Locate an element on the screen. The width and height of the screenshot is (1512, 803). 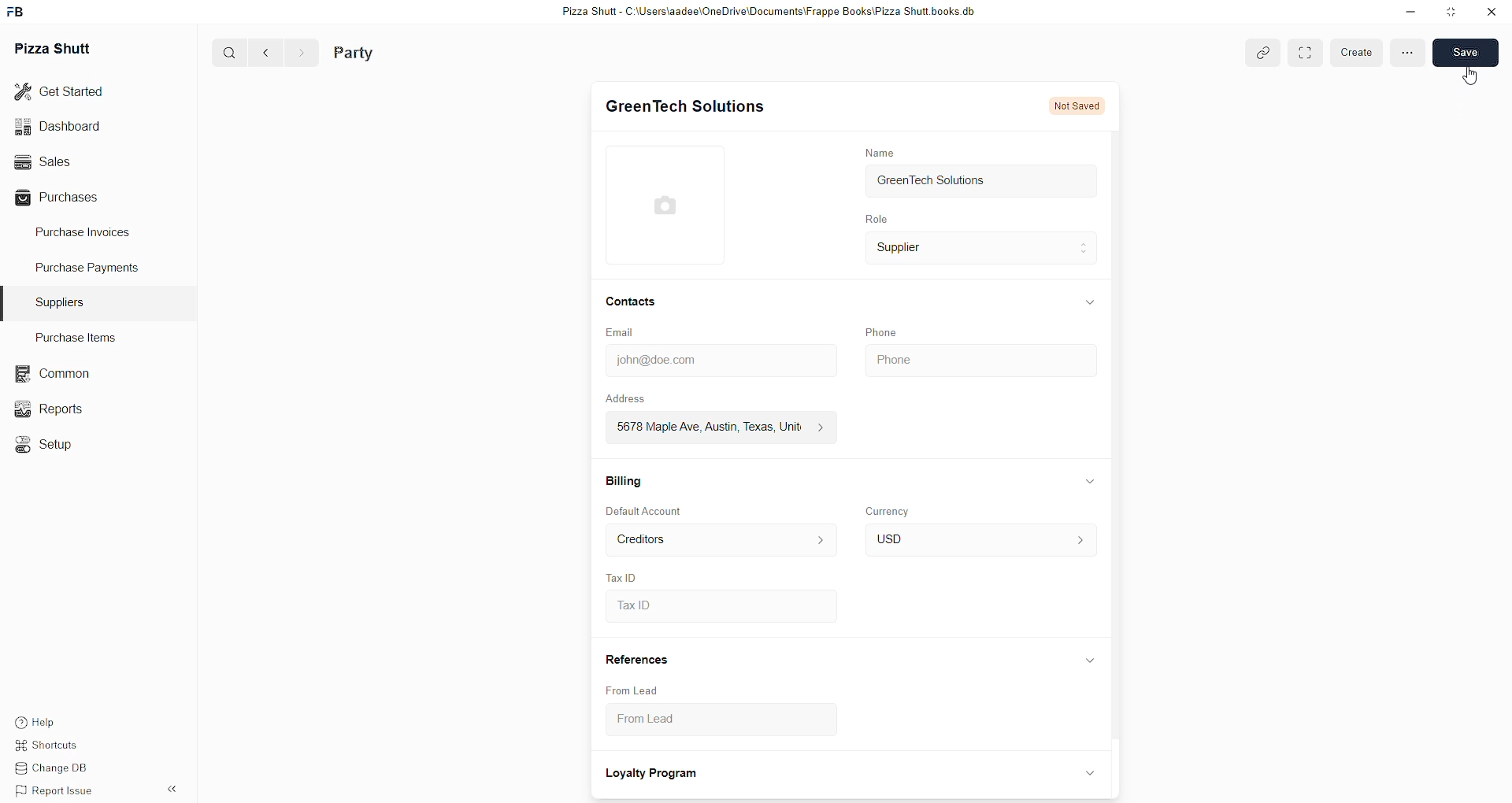
Get Started is located at coordinates (71, 94).